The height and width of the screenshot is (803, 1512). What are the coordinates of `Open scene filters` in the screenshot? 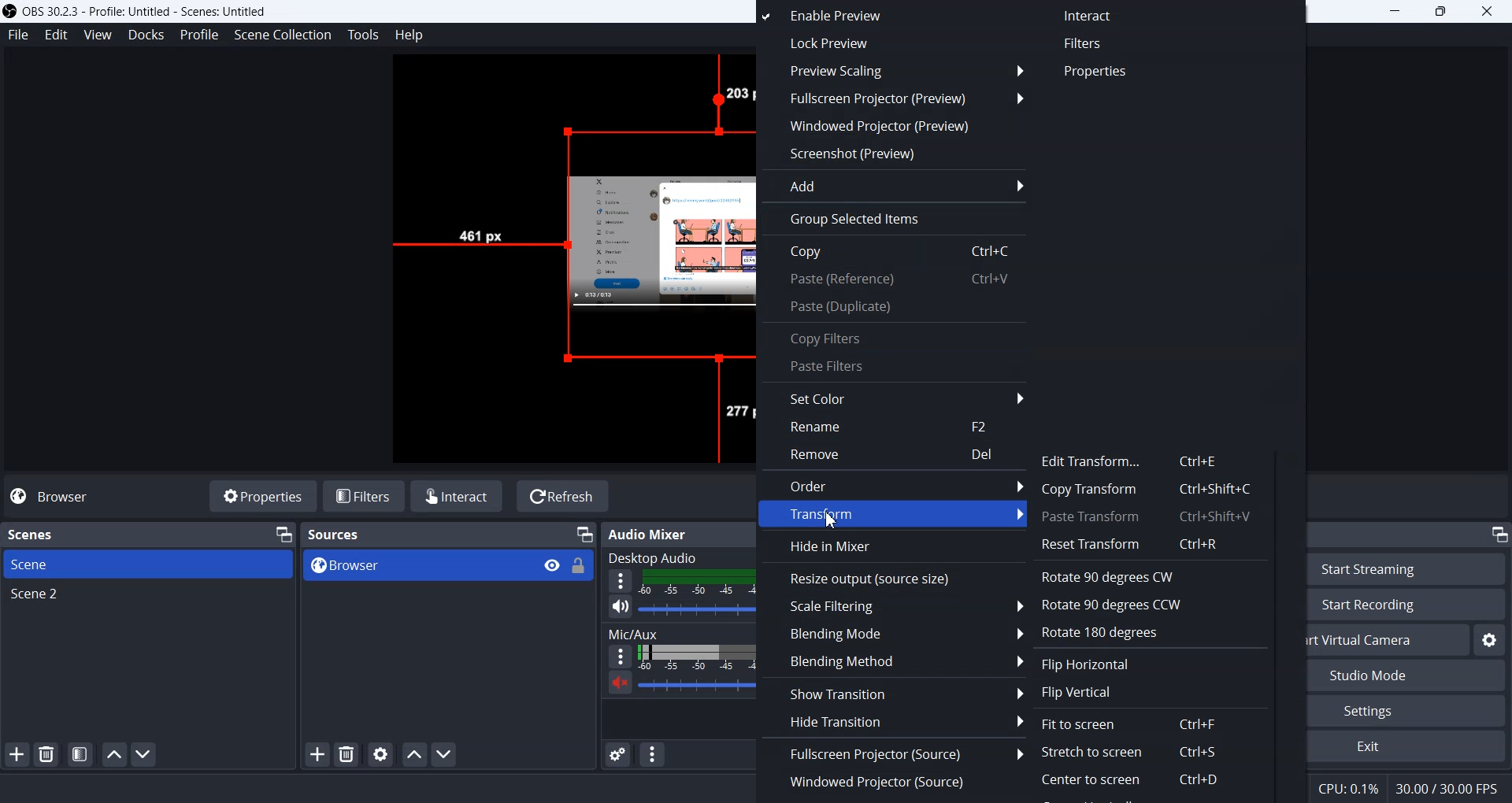 It's located at (79, 754).